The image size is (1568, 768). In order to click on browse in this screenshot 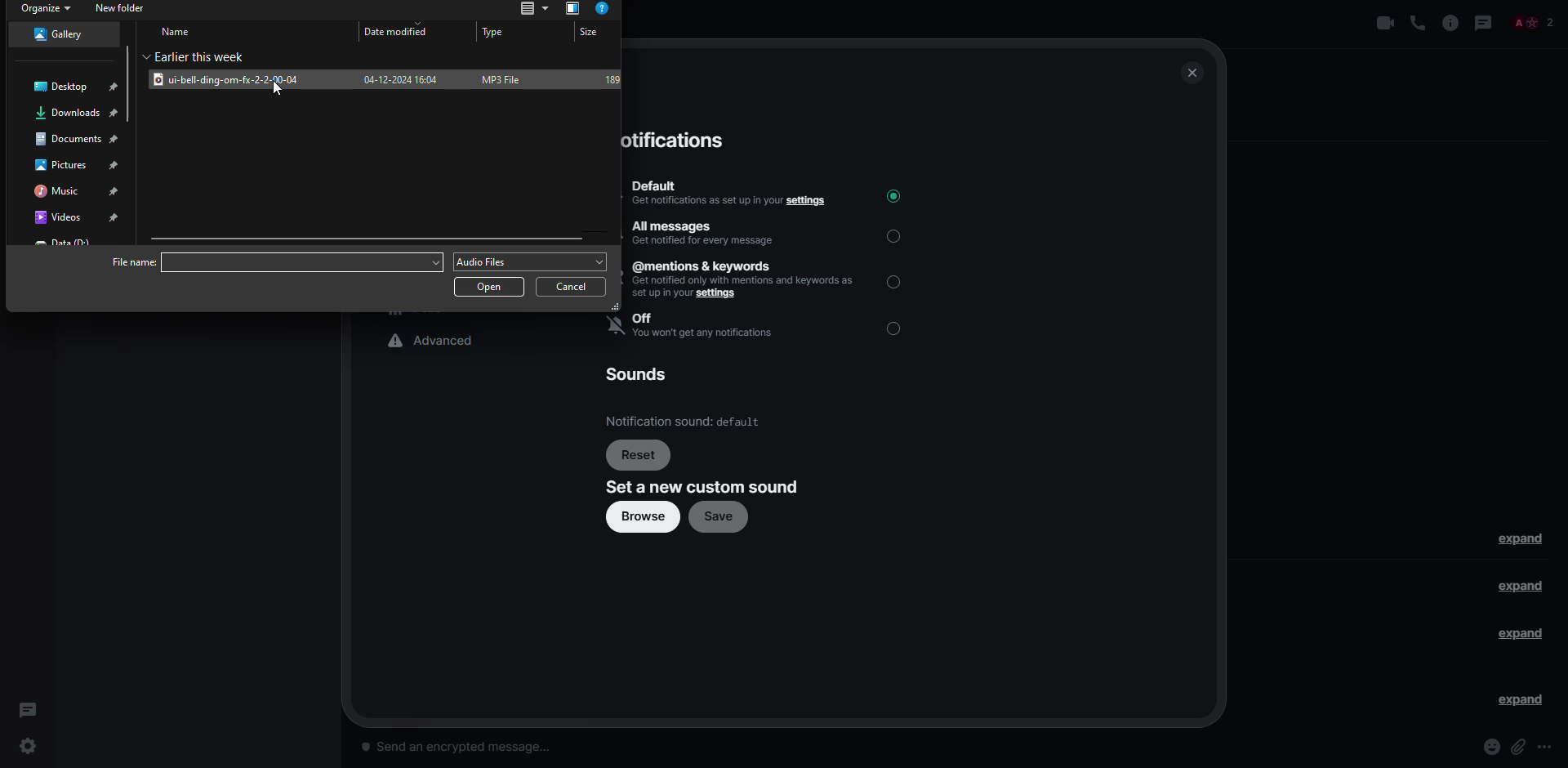, I will do `click(644, 516)`.